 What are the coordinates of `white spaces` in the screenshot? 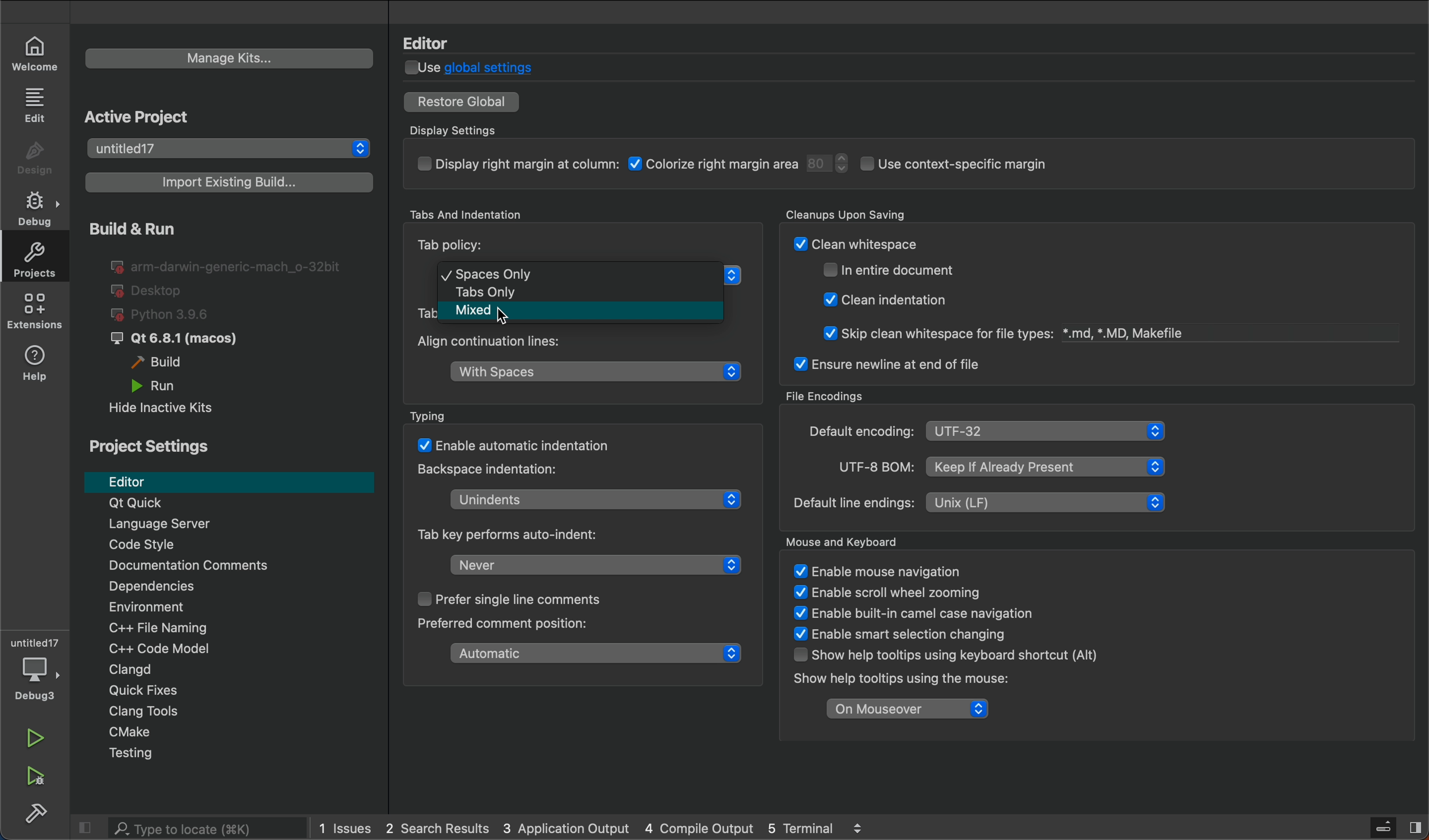 It's located at (597, 375).